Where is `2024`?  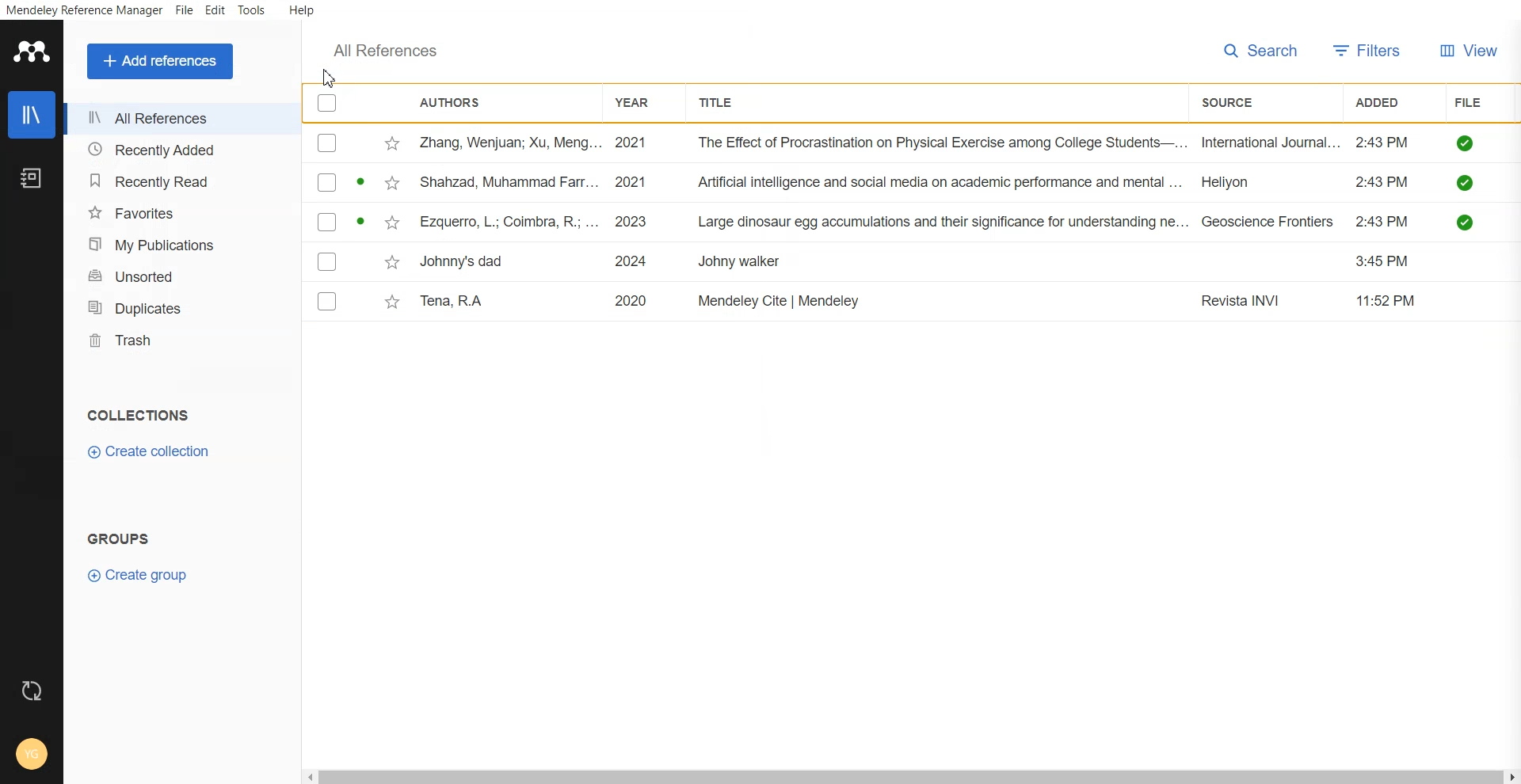 2024 is located at coordinates (634, 261).